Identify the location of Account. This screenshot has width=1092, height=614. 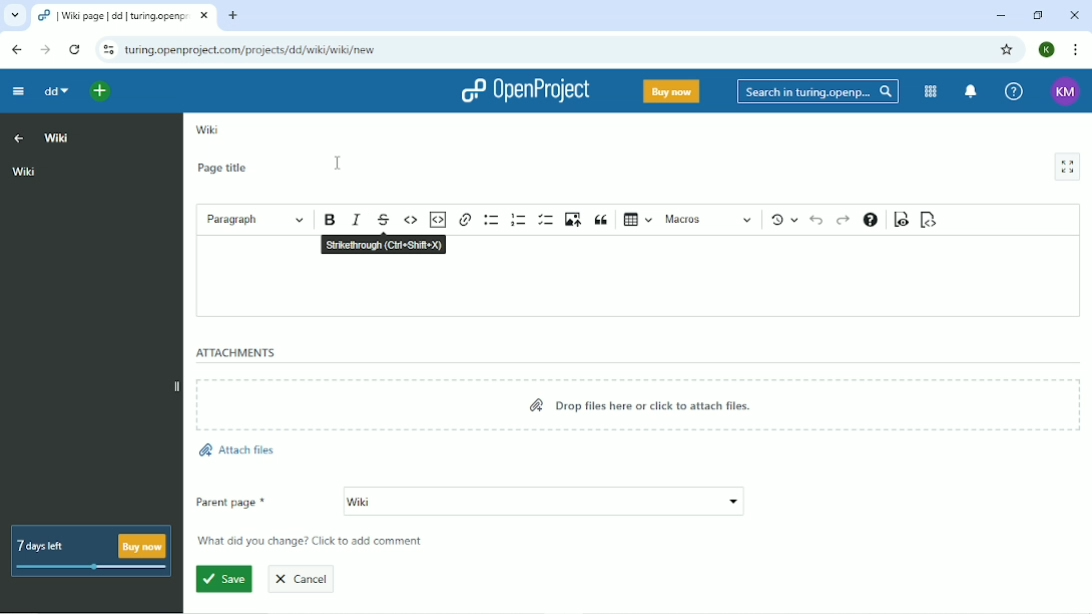
(1067, 90).